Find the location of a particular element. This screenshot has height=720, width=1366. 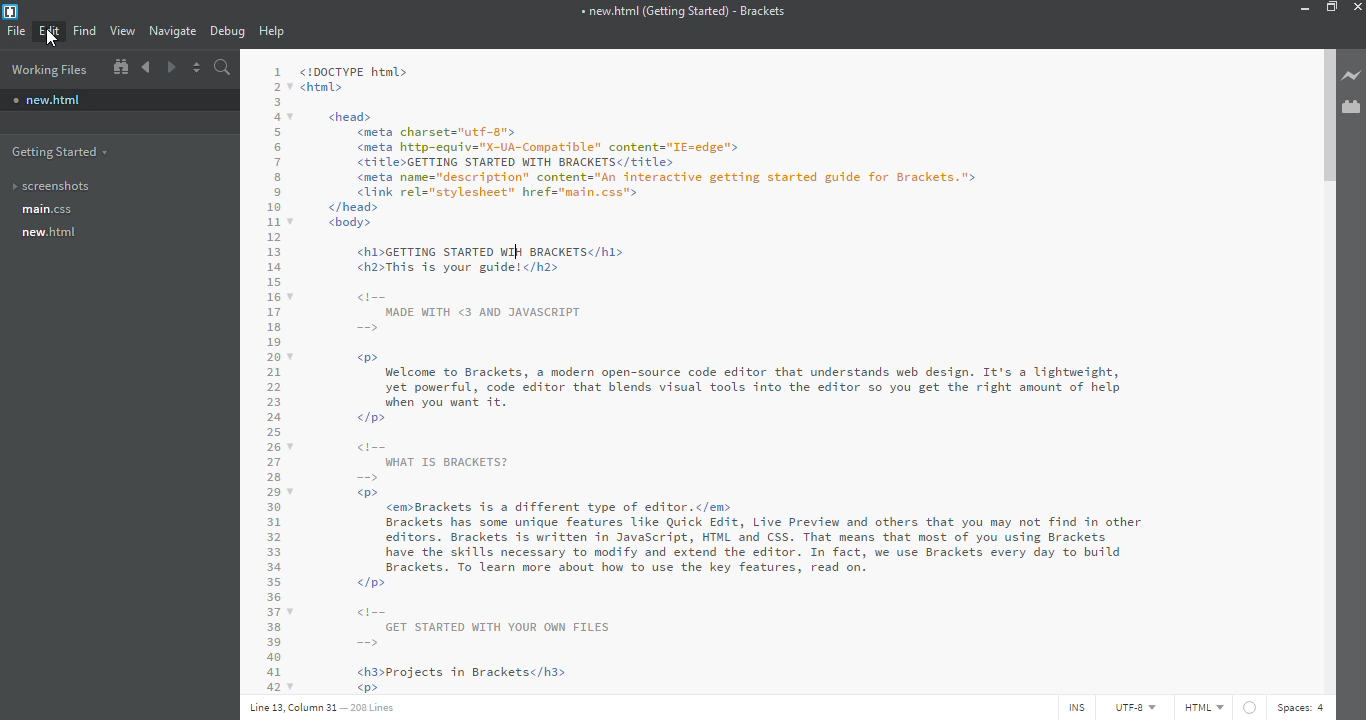

brackets is located at coordinates (11, 12).